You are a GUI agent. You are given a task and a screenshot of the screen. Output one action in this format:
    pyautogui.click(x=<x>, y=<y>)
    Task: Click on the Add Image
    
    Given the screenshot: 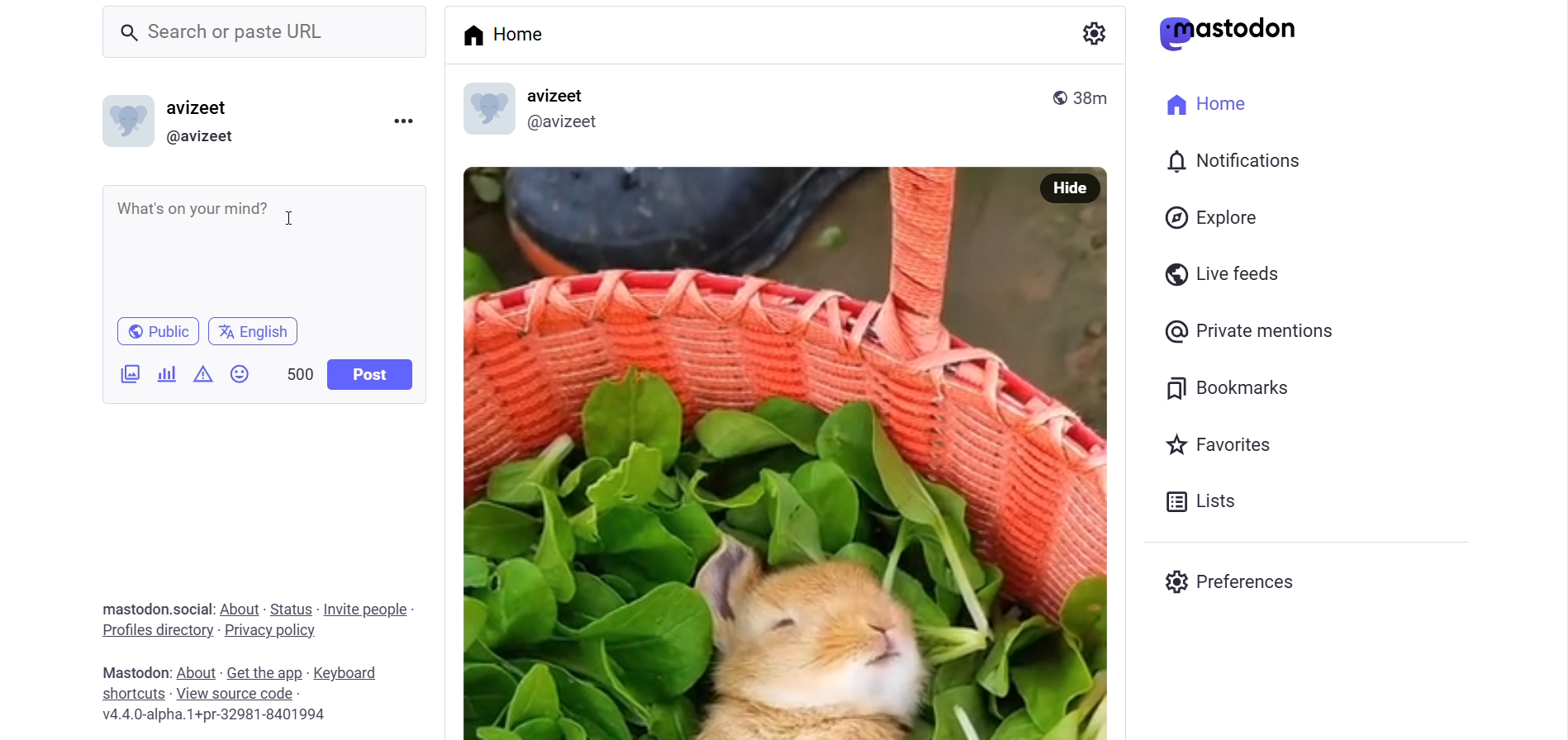 What is the action you would take?
    pyautogui.click(x=130, y=372)
    